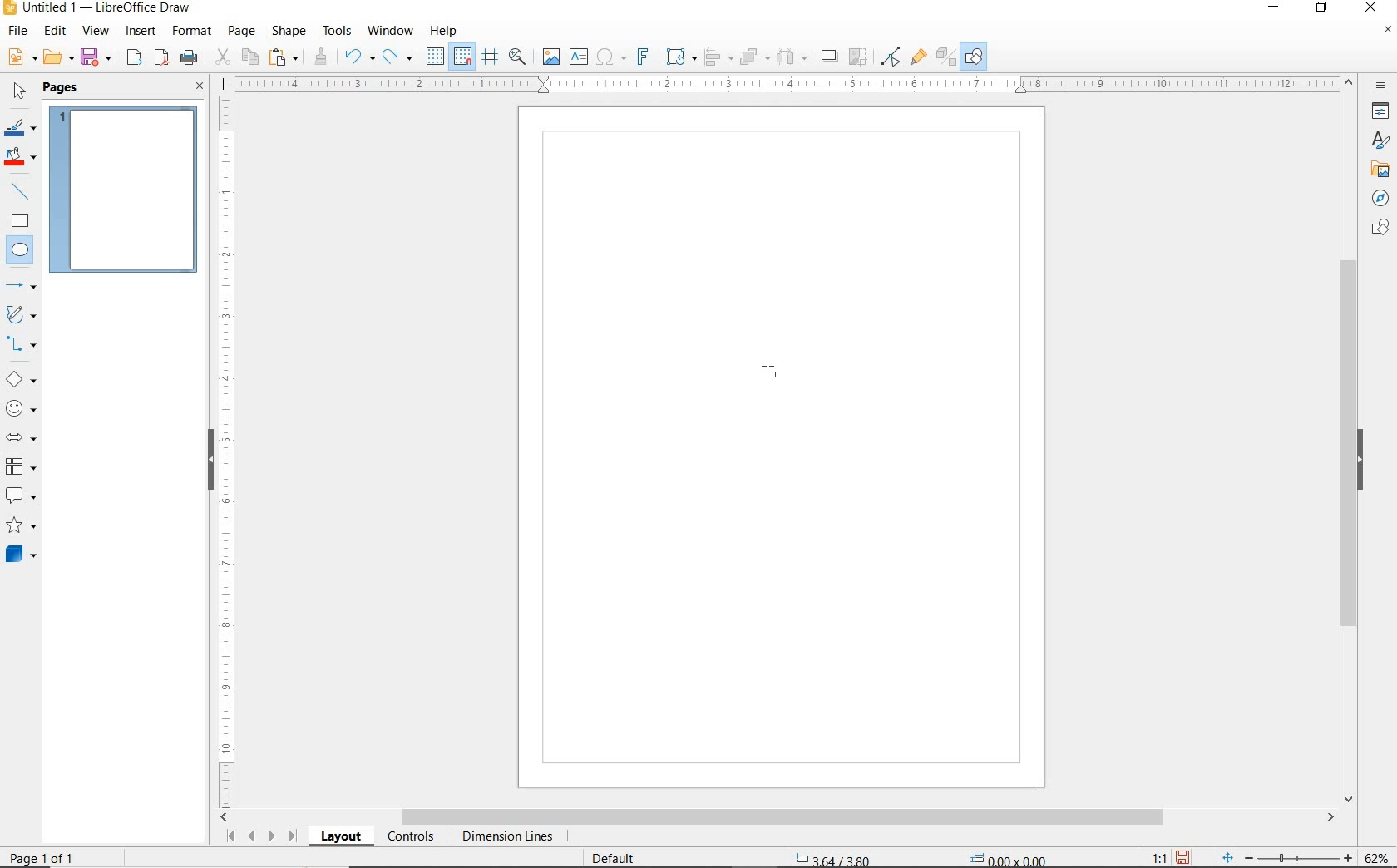 This screenshot has width=1397, height=868. What do you see at coordinates (1151, 857) in the screenshot?
I see `SCALE FACTOR` at bounding box center [1151, 857].